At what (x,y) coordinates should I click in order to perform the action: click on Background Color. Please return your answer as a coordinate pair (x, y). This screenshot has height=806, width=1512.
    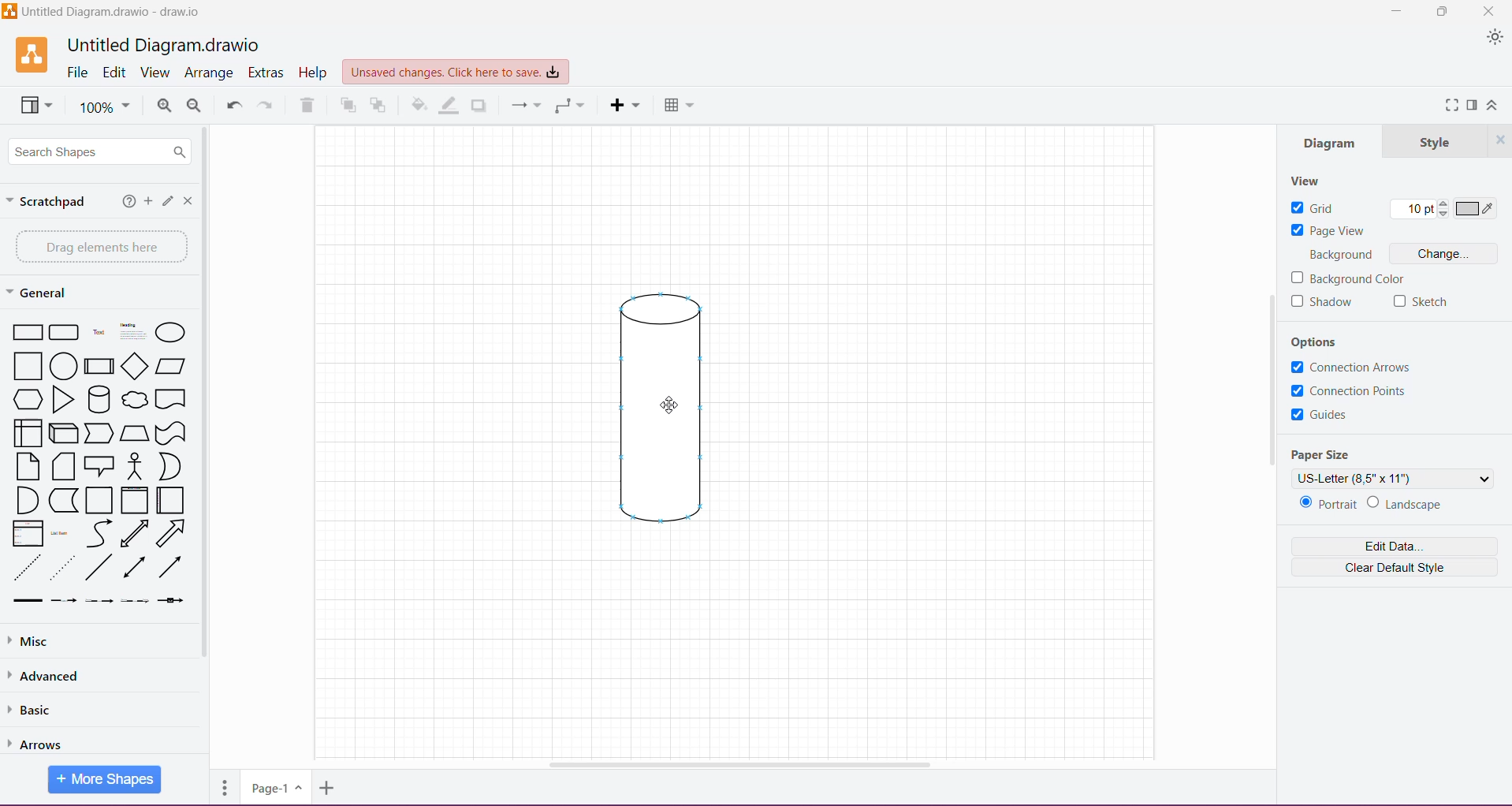
    Looking at the image, I should click on (1356, 278).